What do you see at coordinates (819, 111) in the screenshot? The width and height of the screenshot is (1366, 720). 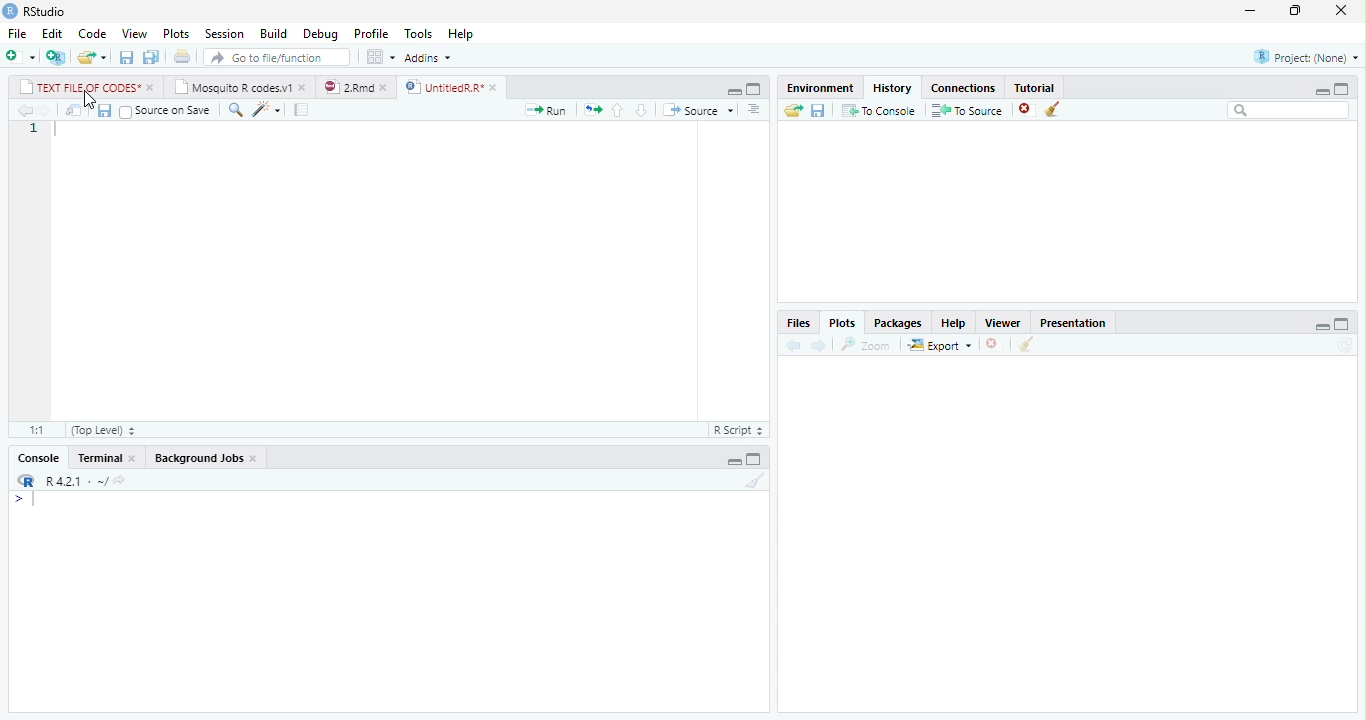 I see `save` at bounding box center [819, 111].